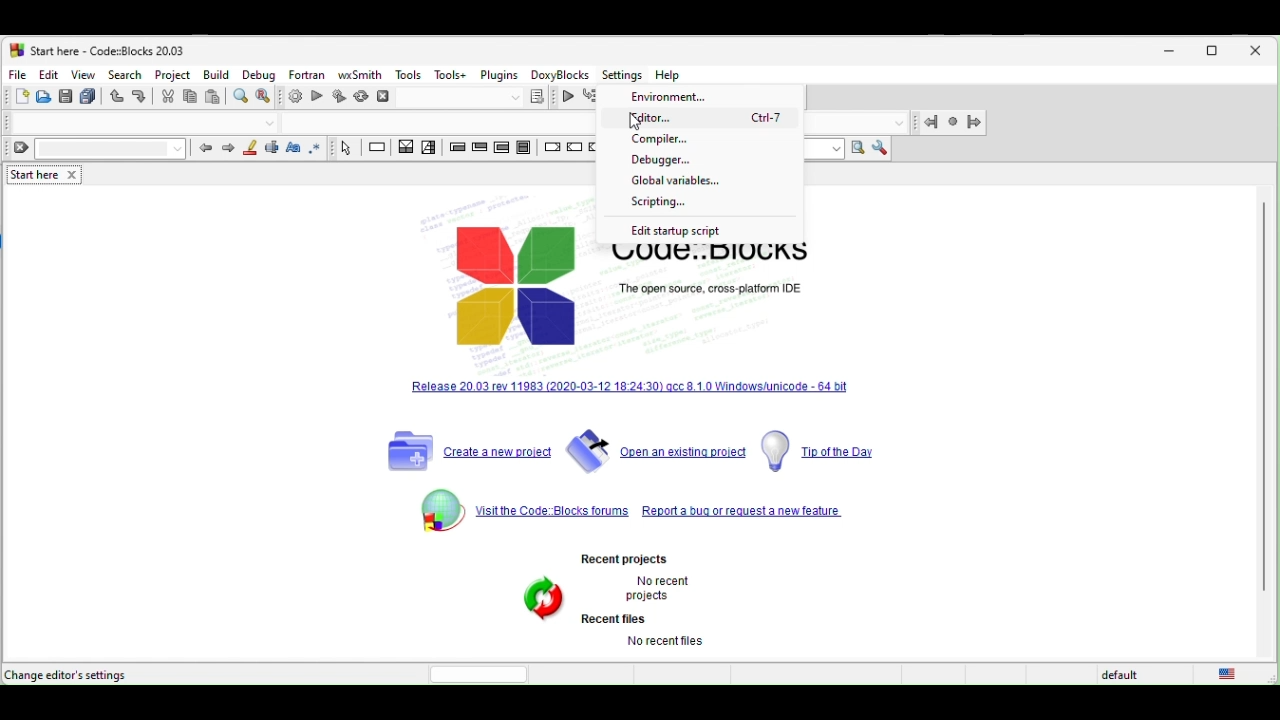 The height and width of the screenshot is (720, 1280). Describe the element at coordinates (527, 149) in the screenshot. I see `block instruction` at that location.